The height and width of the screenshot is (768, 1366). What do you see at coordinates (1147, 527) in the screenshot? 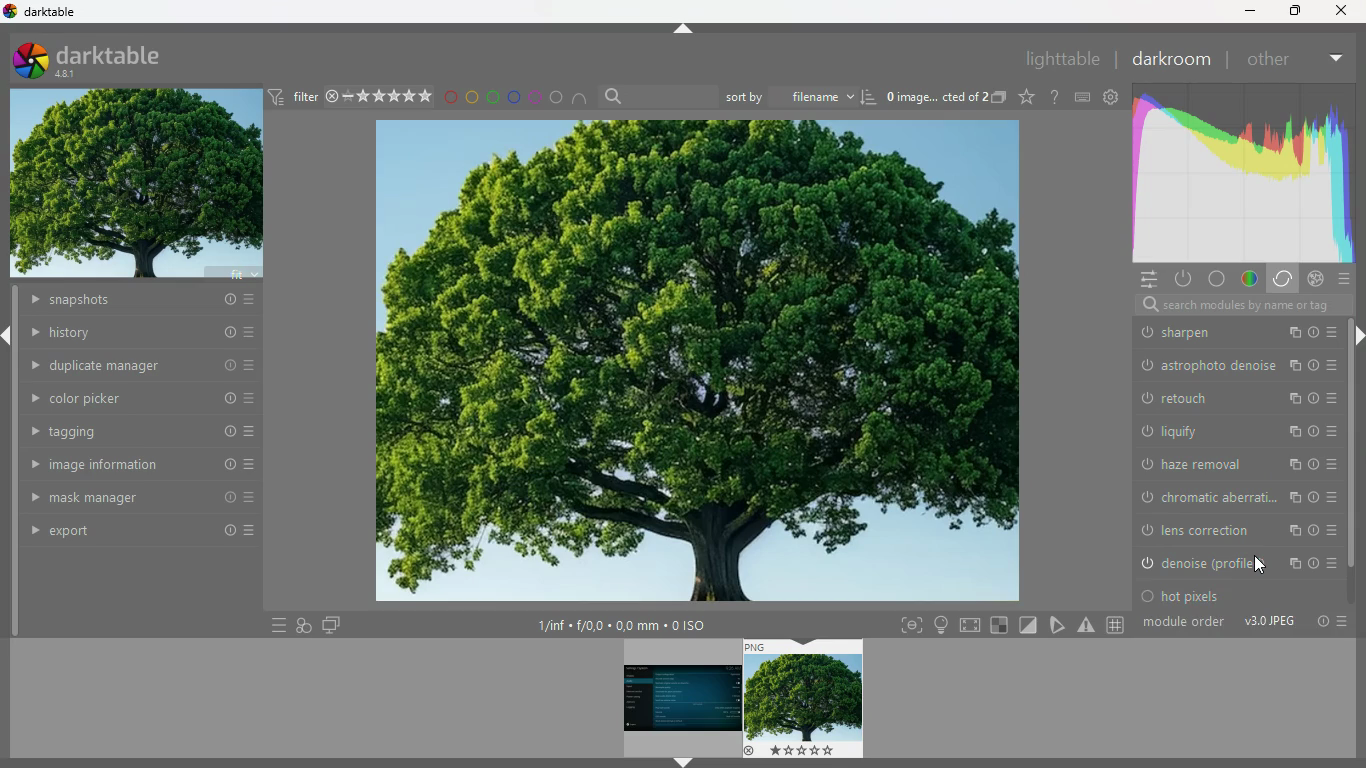
I see `power` at bounding box center [1147, 527].